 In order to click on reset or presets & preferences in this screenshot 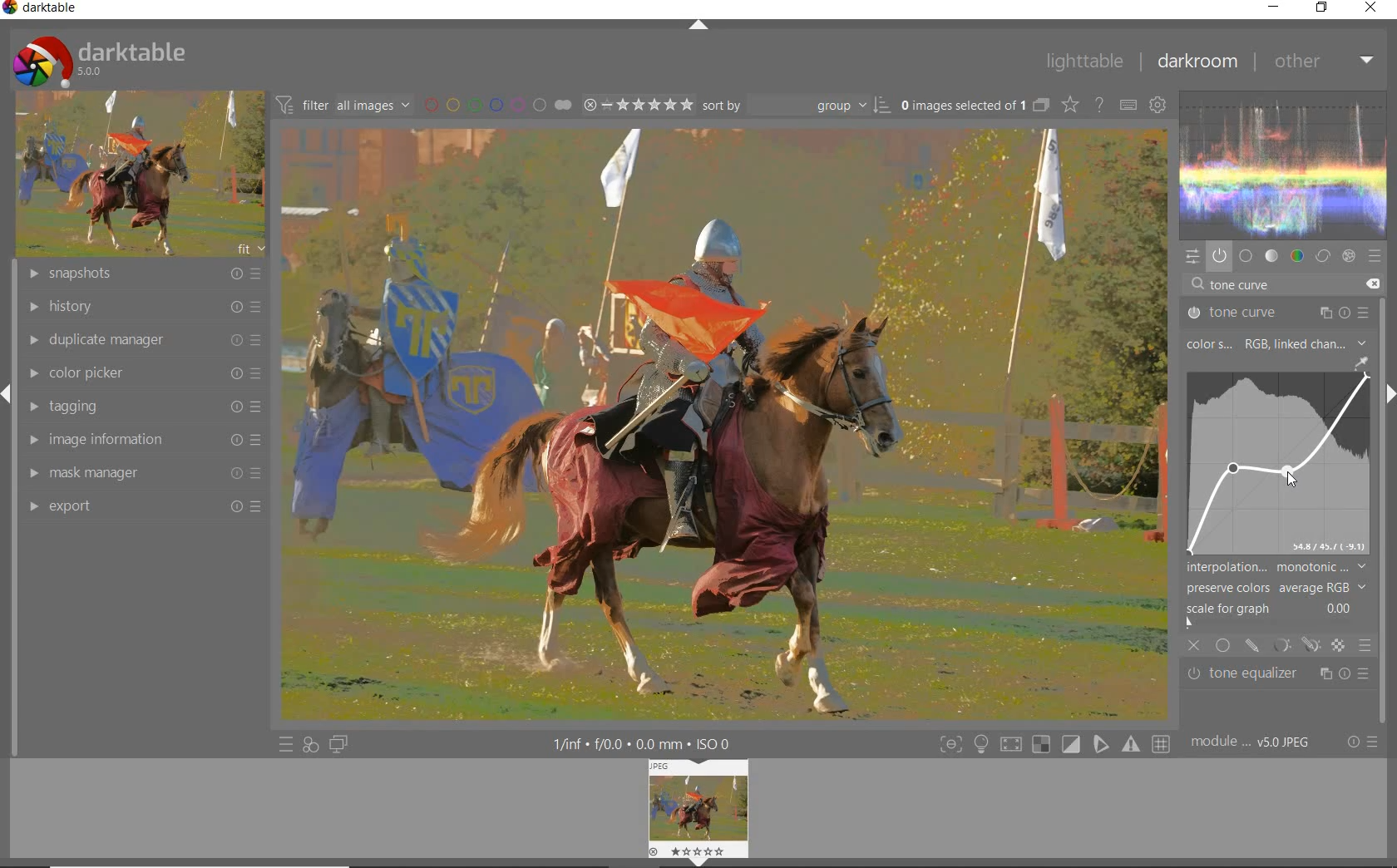, I will do `click(1362, 743)`.